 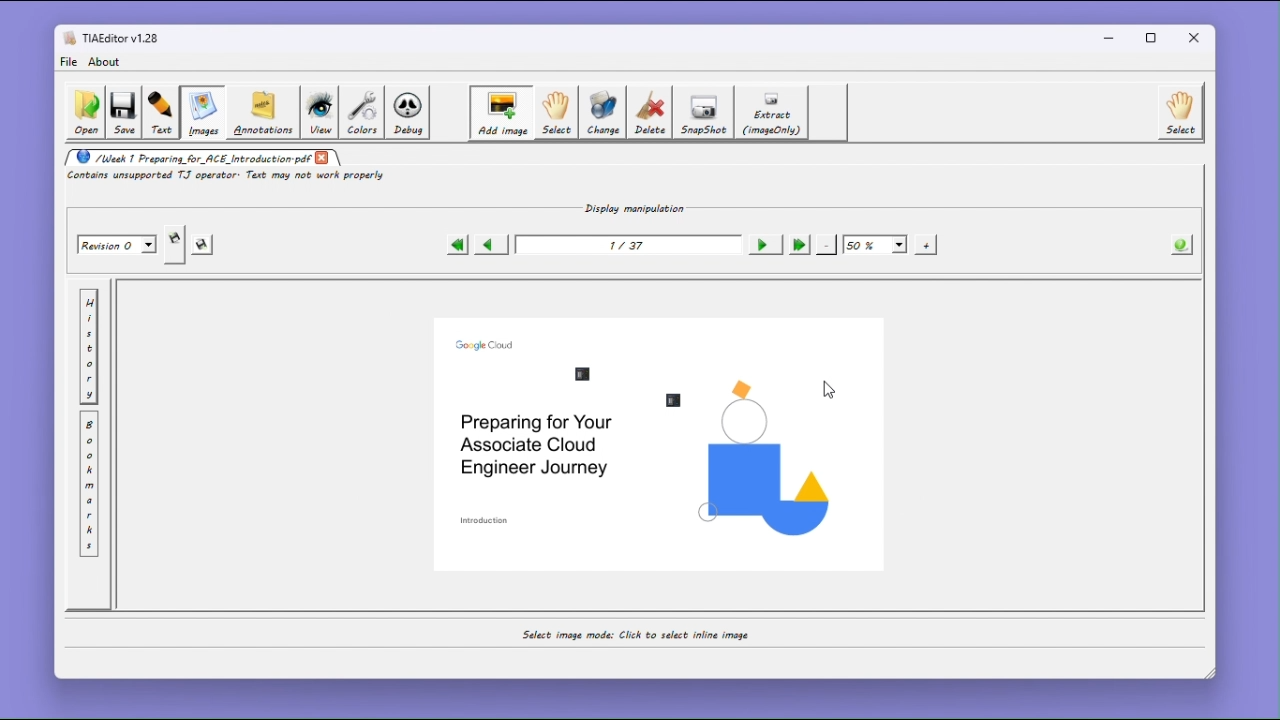 What do you see at coordinates (1155, 38) in the screenshot?
I see `Maximize` at bounding box center [1155, 38].